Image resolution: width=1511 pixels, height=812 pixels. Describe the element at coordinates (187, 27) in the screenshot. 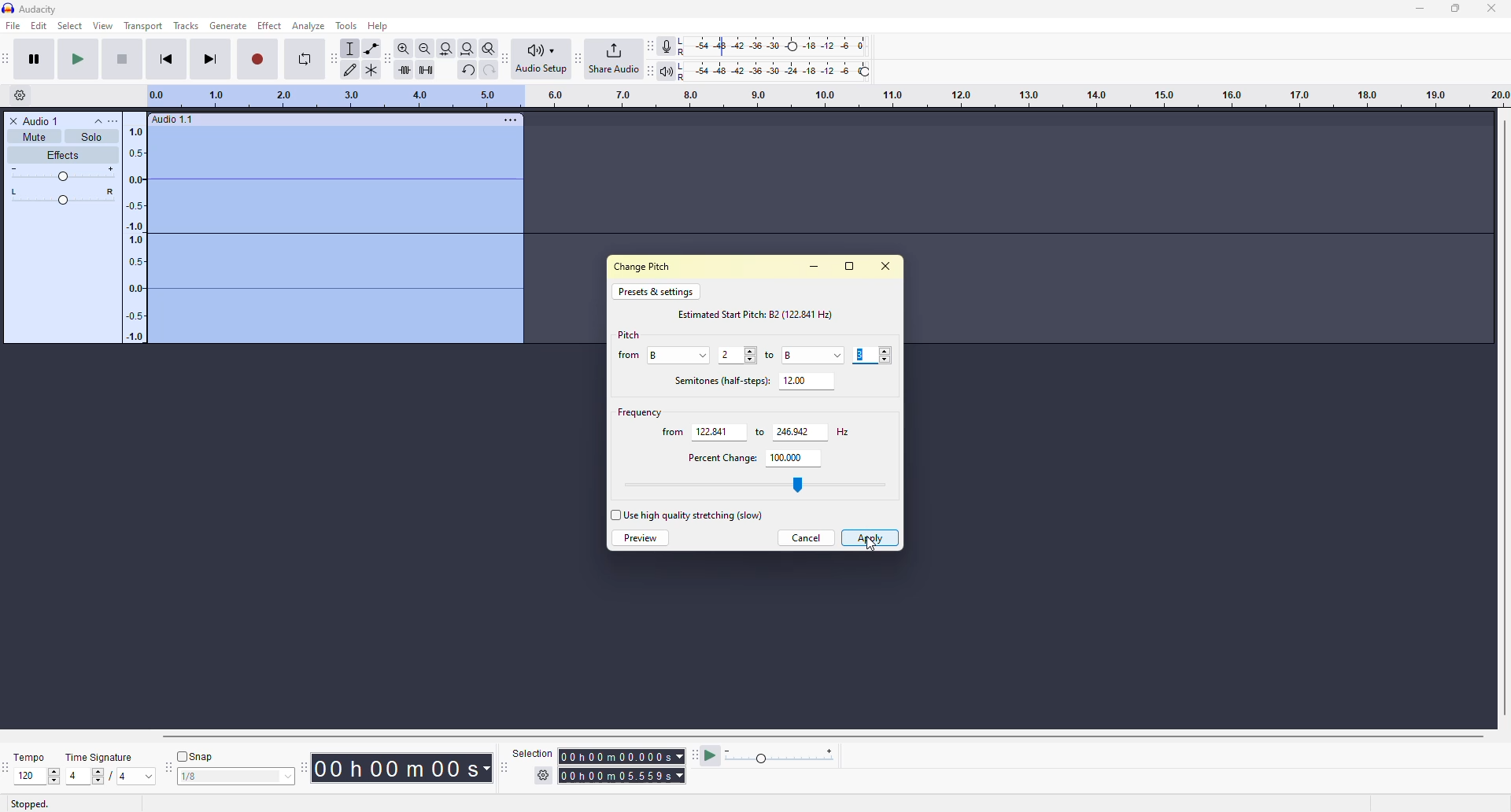

I see `tracks` at that location.